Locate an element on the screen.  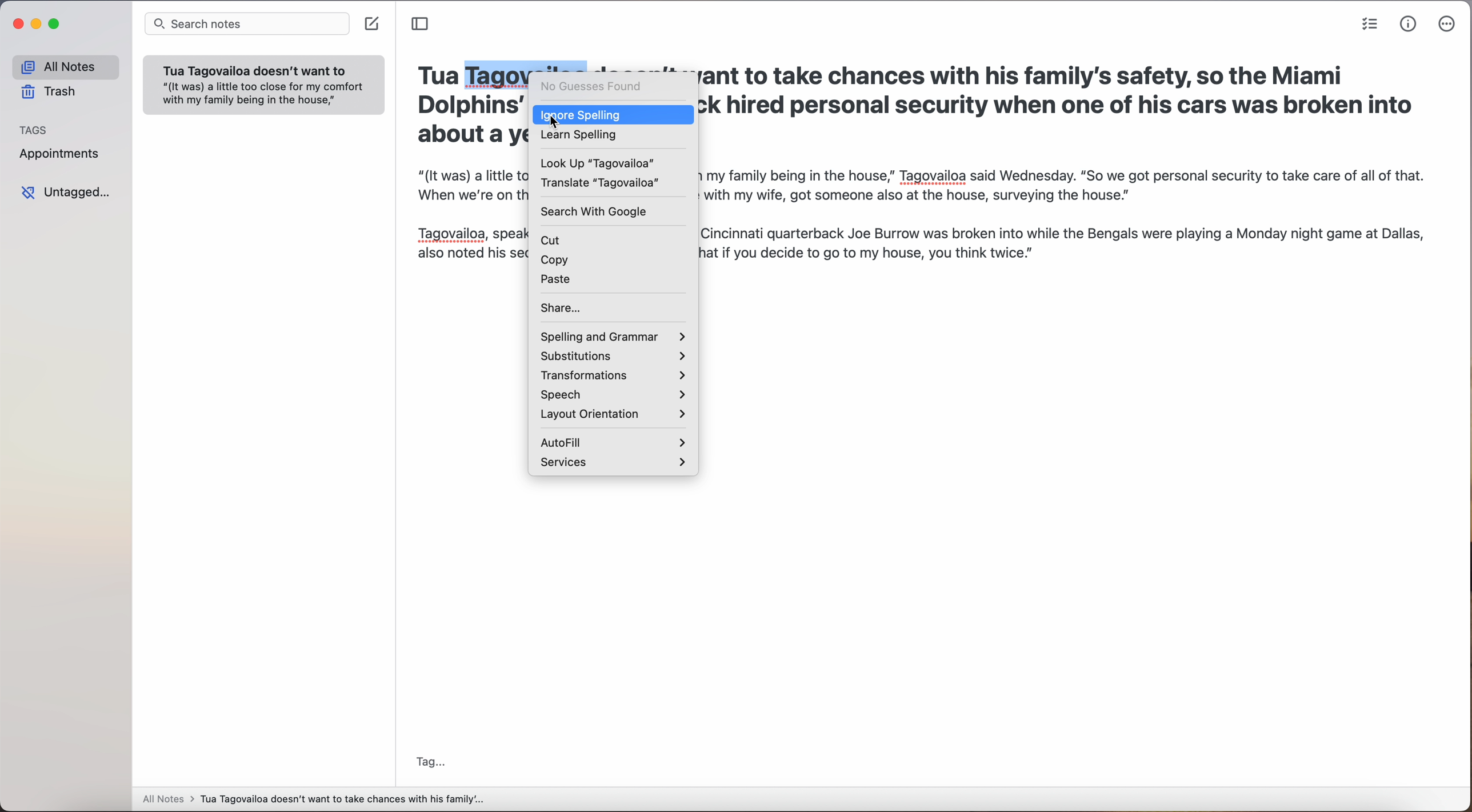
check list is located at coordinates (1369, 24).